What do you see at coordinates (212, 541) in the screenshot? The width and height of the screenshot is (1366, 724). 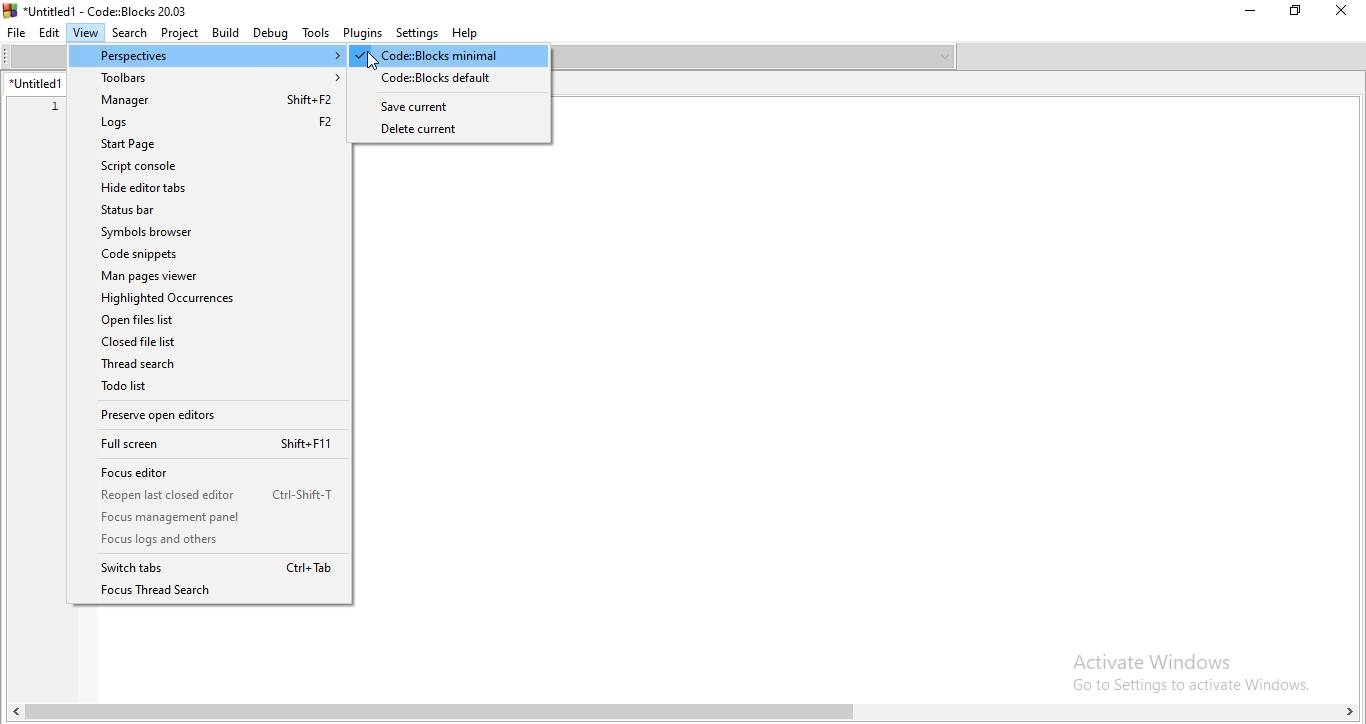 I see `Focus legs and others` at bounding box center [212, 541].